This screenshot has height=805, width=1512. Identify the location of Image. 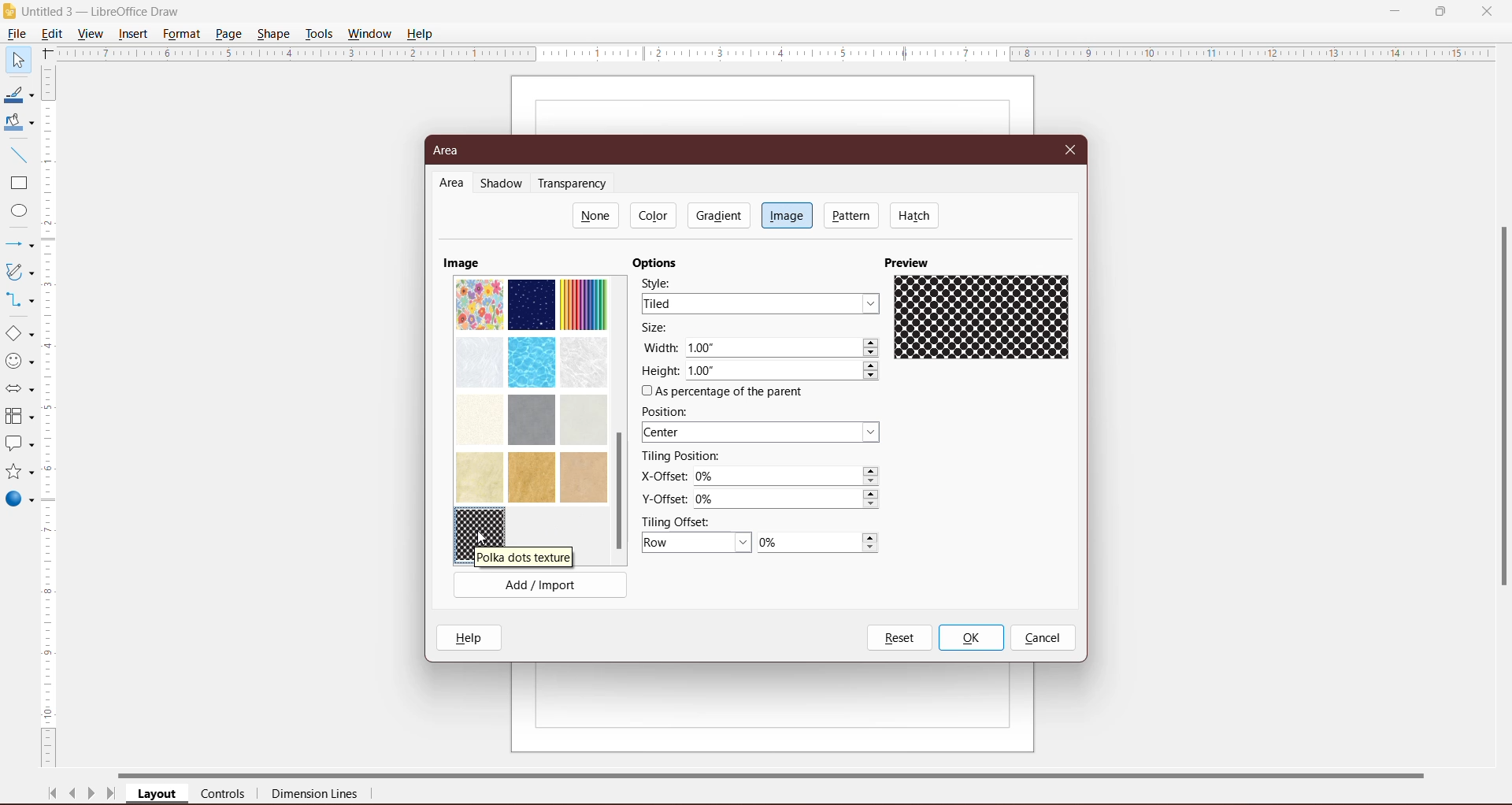
(461, 262).